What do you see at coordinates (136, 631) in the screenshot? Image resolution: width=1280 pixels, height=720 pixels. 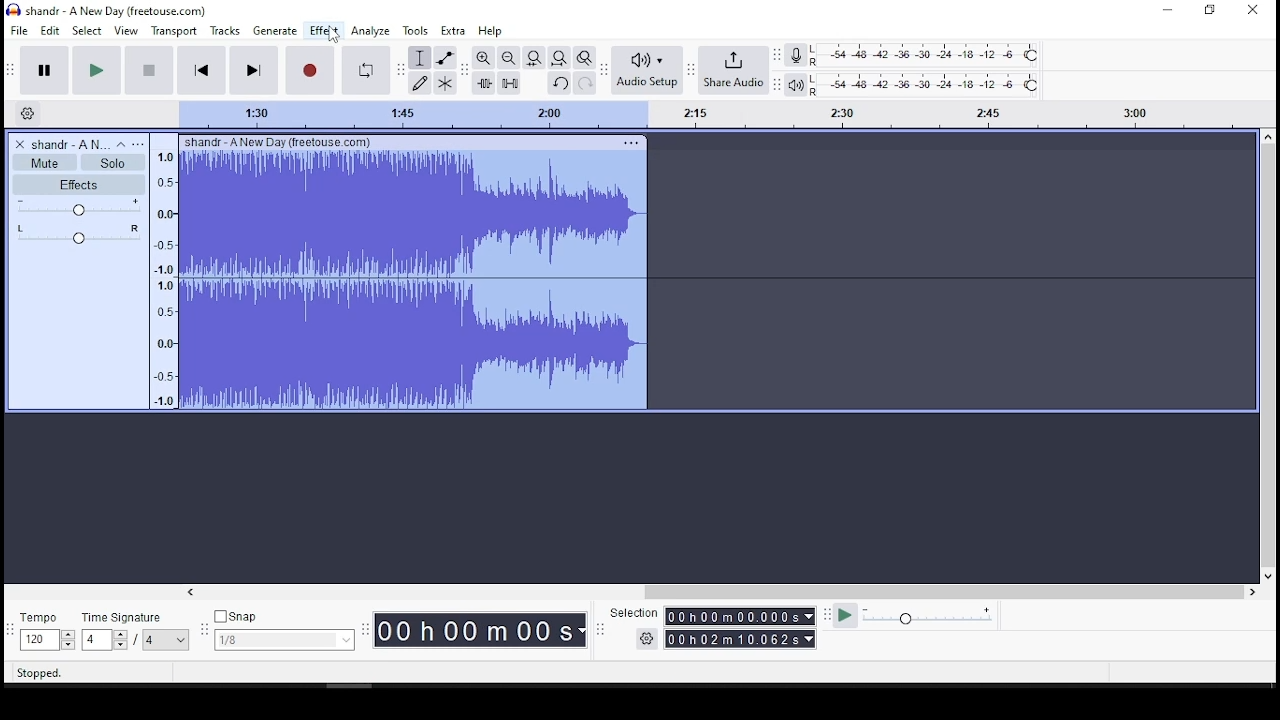 I see `time signature` at bounding box center [136, 631].